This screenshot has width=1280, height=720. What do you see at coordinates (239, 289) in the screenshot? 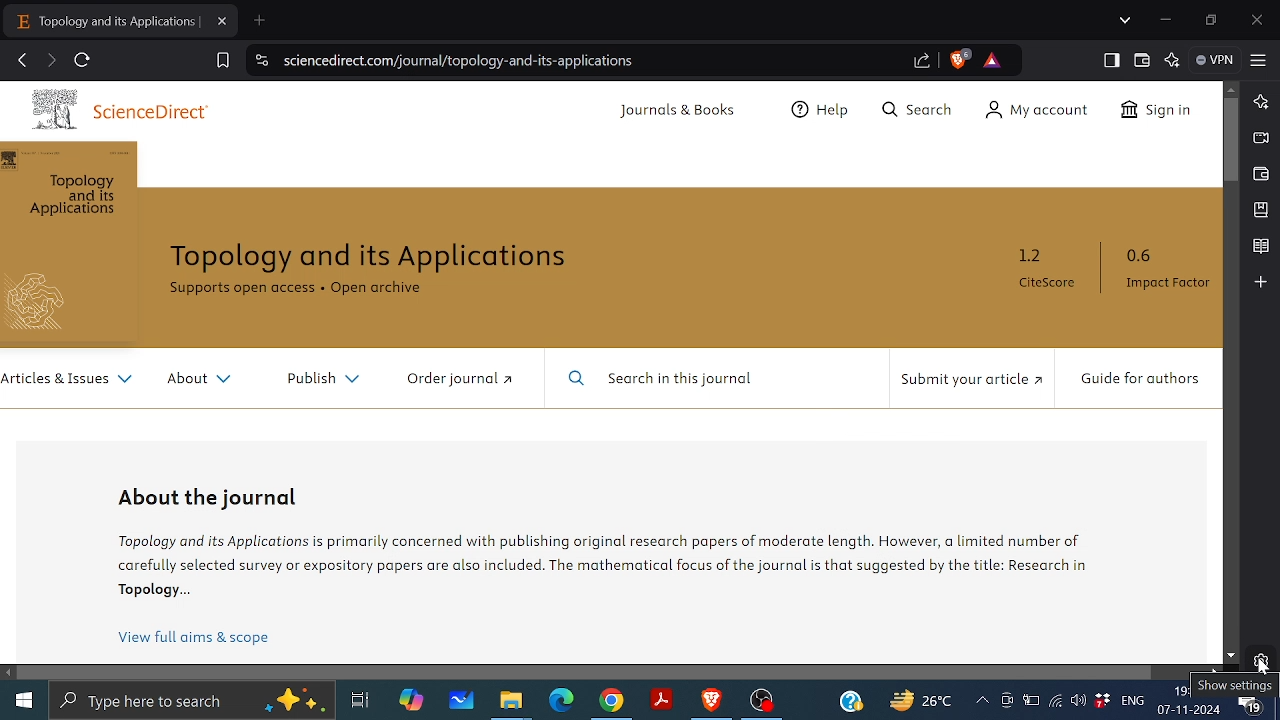
I see `Supports open access` at bounding box center [239, 289].